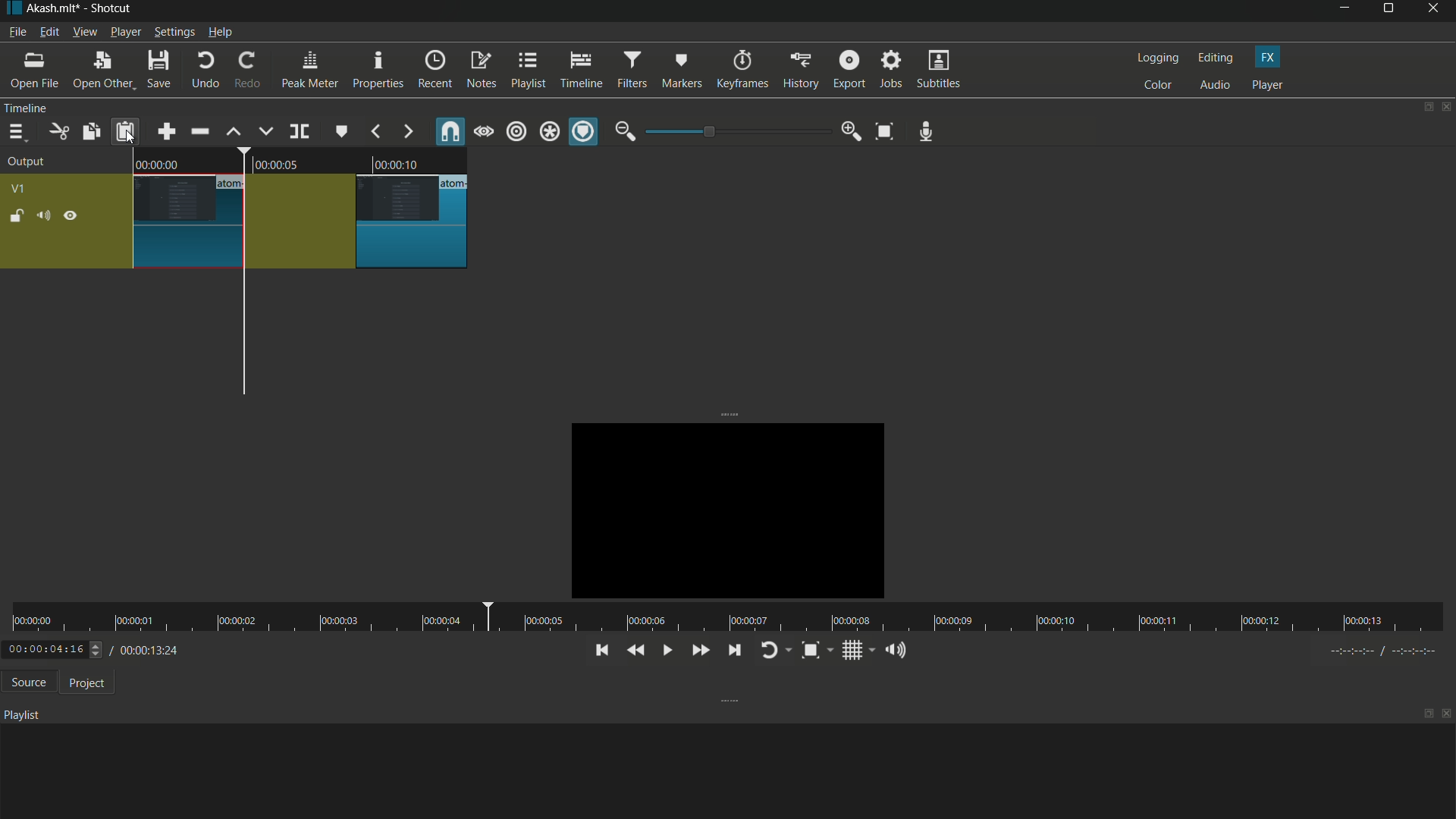 Image resolution: width=1456 pixels, height=819 pixels. I want to click on close, so click(1447, 716).